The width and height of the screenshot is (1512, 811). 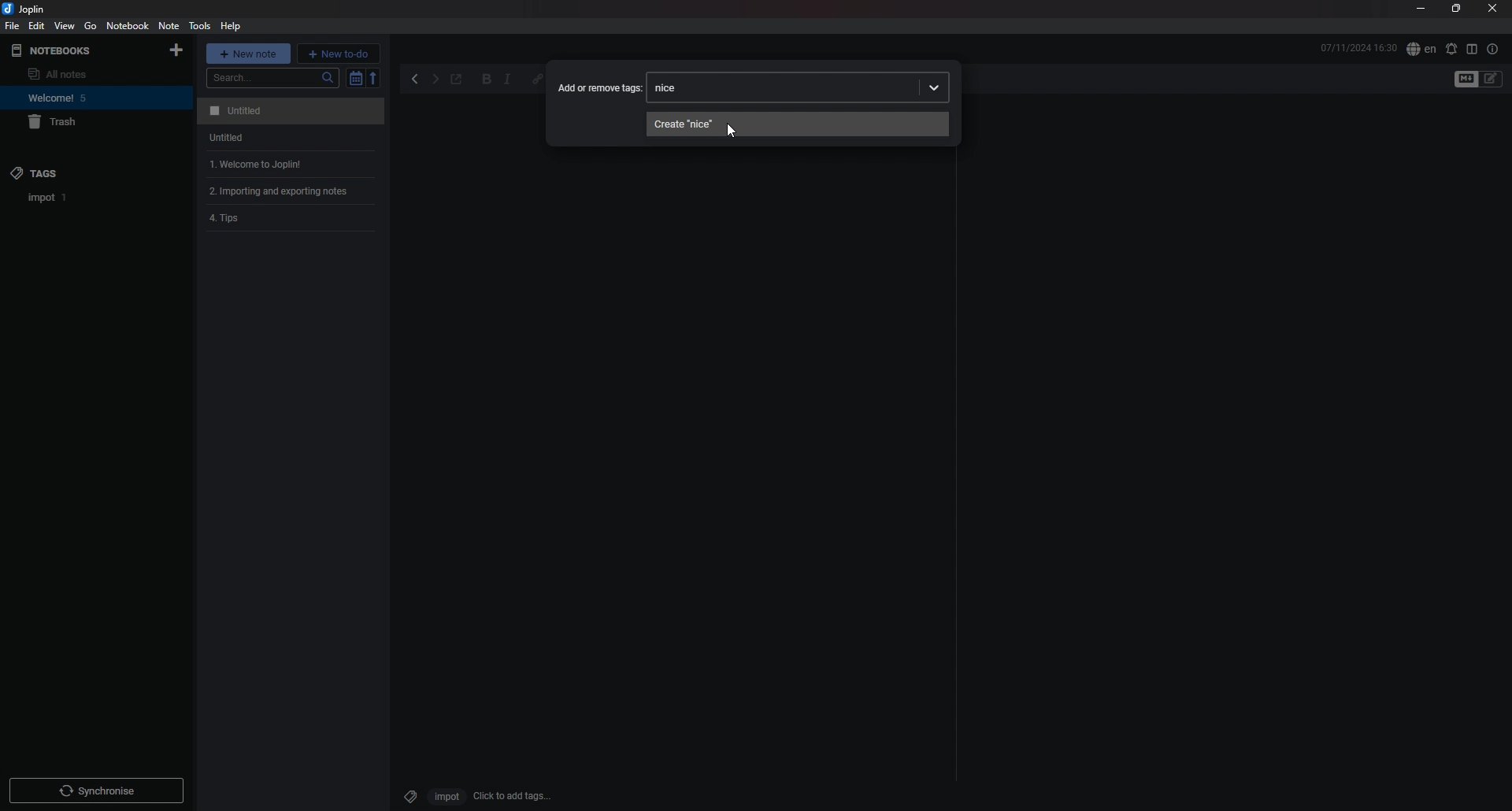 I want to click on back, so click(x=417, y=80).